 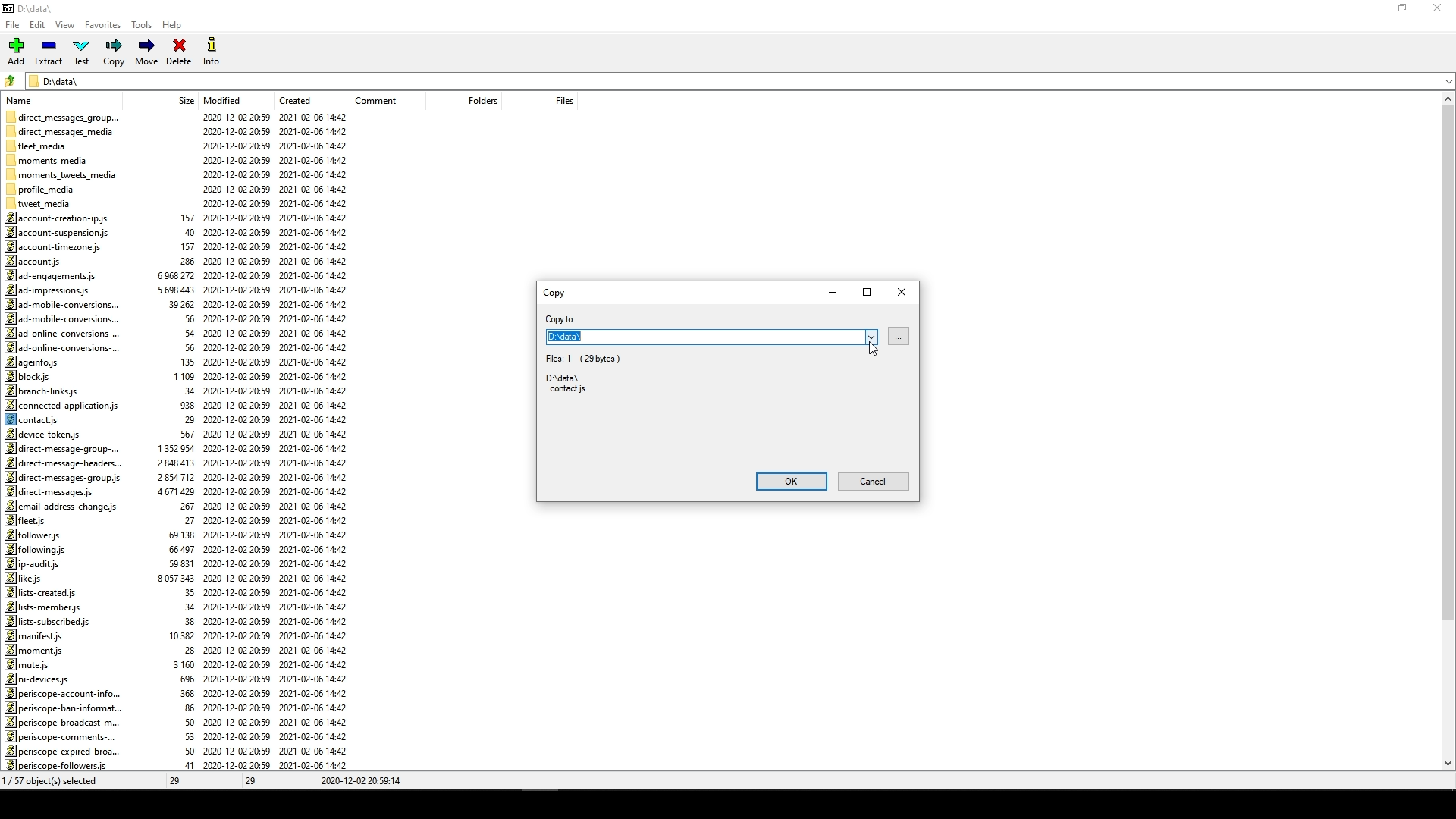 What do you see at coordinates (148, 52) in the screenshot?
I see `Move` at bounding box center [148, 52].